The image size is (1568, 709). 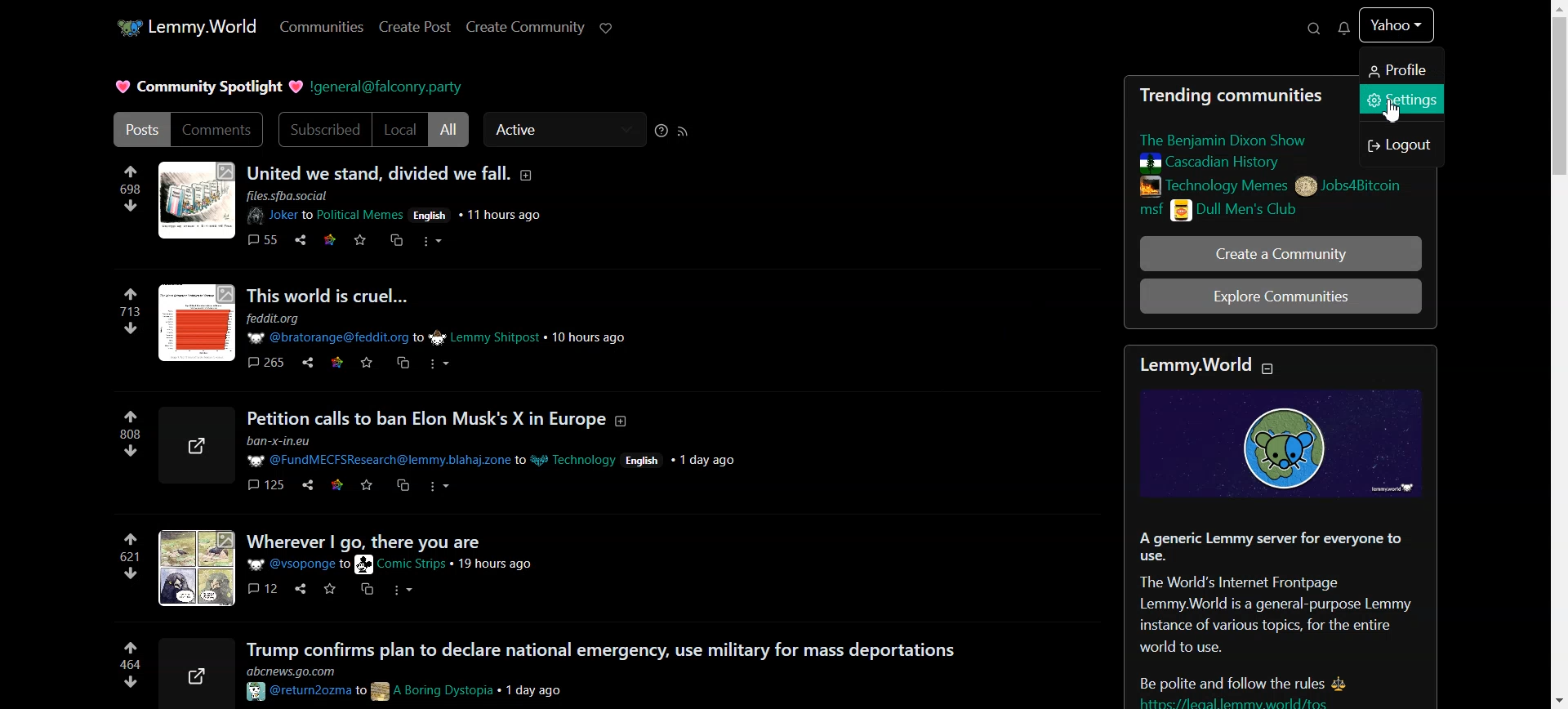 I want to click on , so click(x=442, y=364).